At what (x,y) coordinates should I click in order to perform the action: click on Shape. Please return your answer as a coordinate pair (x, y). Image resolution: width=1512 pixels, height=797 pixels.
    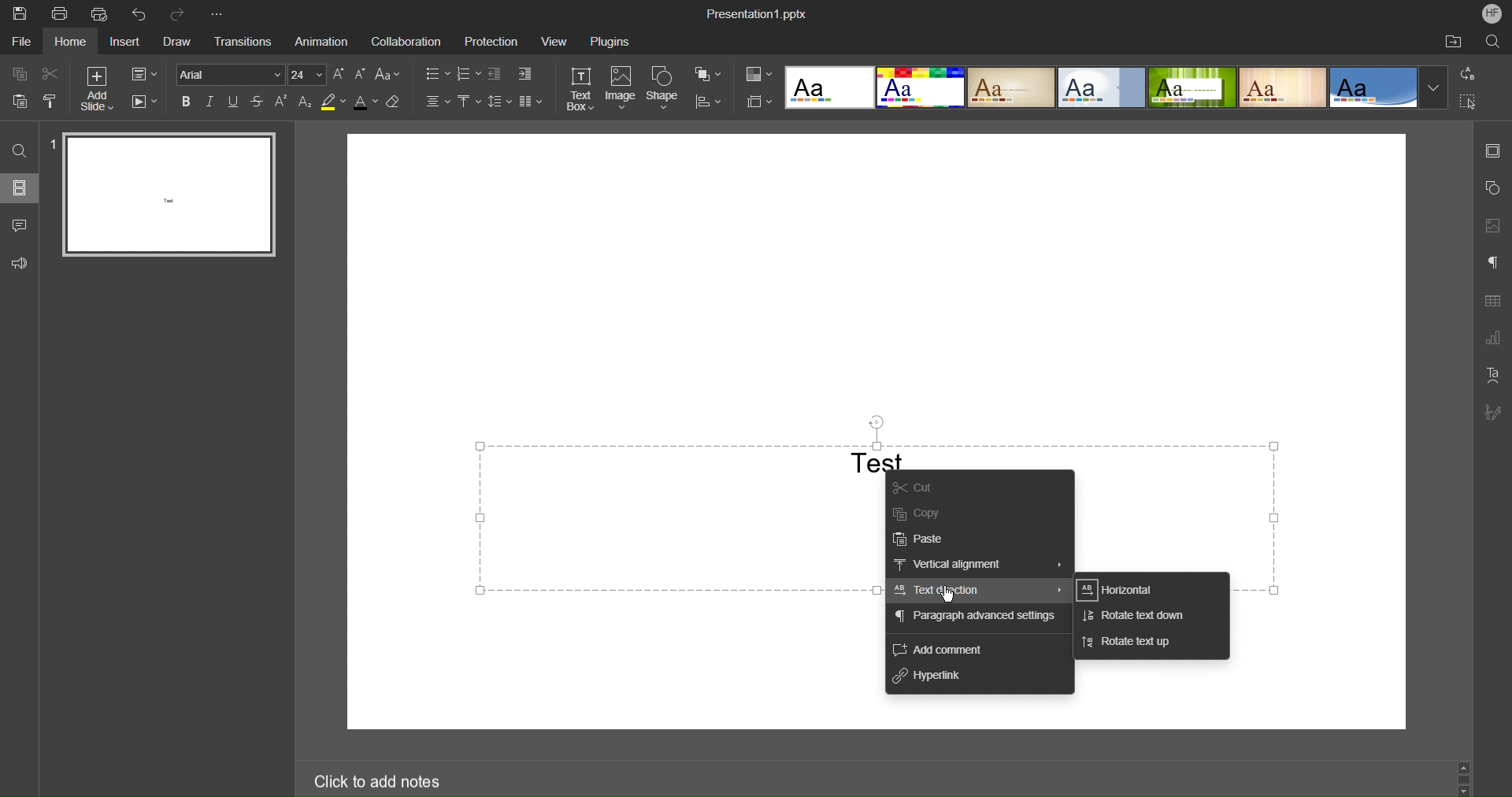
    Looking at the image, I should click on (665, 87).